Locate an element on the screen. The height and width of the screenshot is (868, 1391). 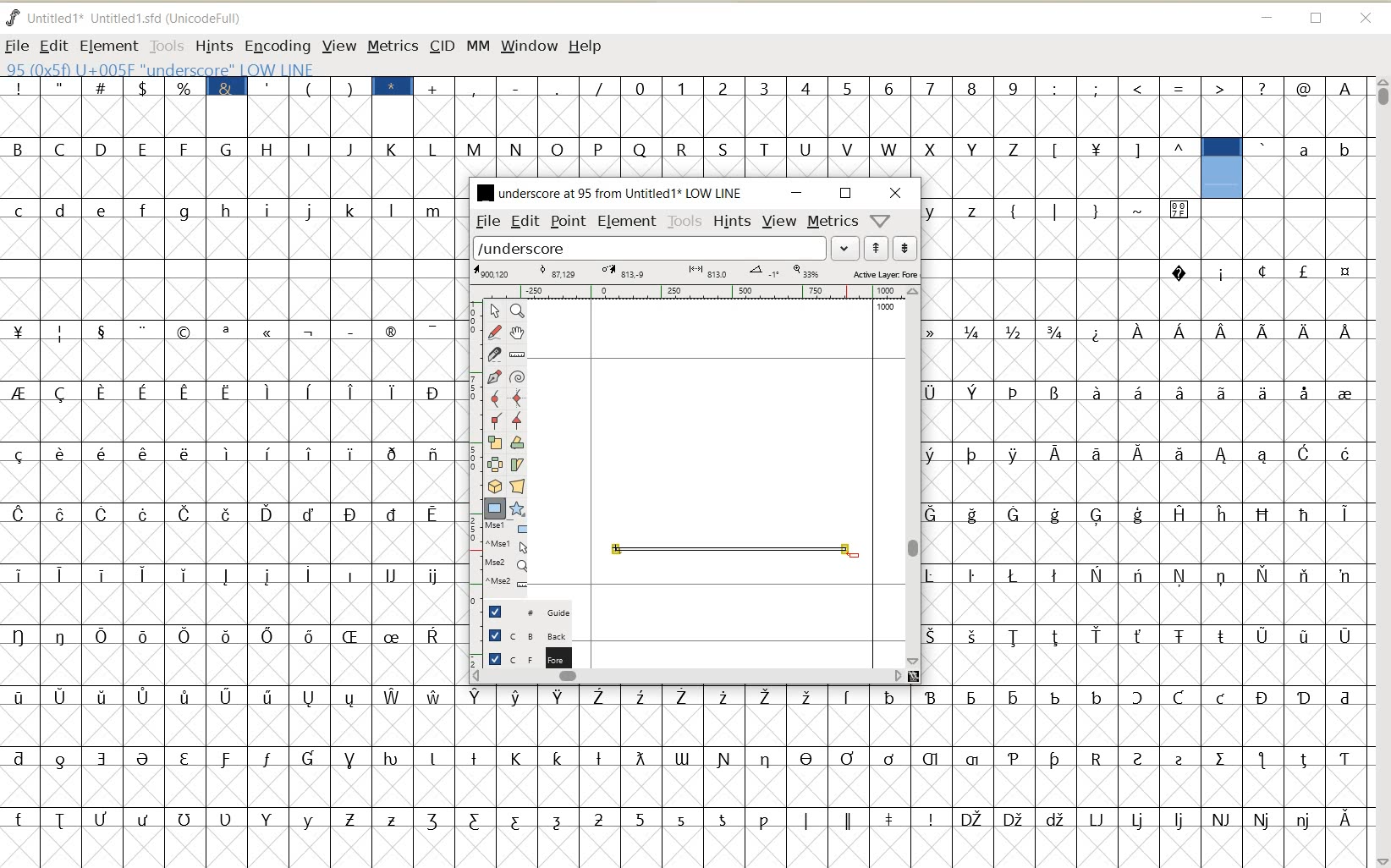
Add a corner point is located at coordinates (518, 420).